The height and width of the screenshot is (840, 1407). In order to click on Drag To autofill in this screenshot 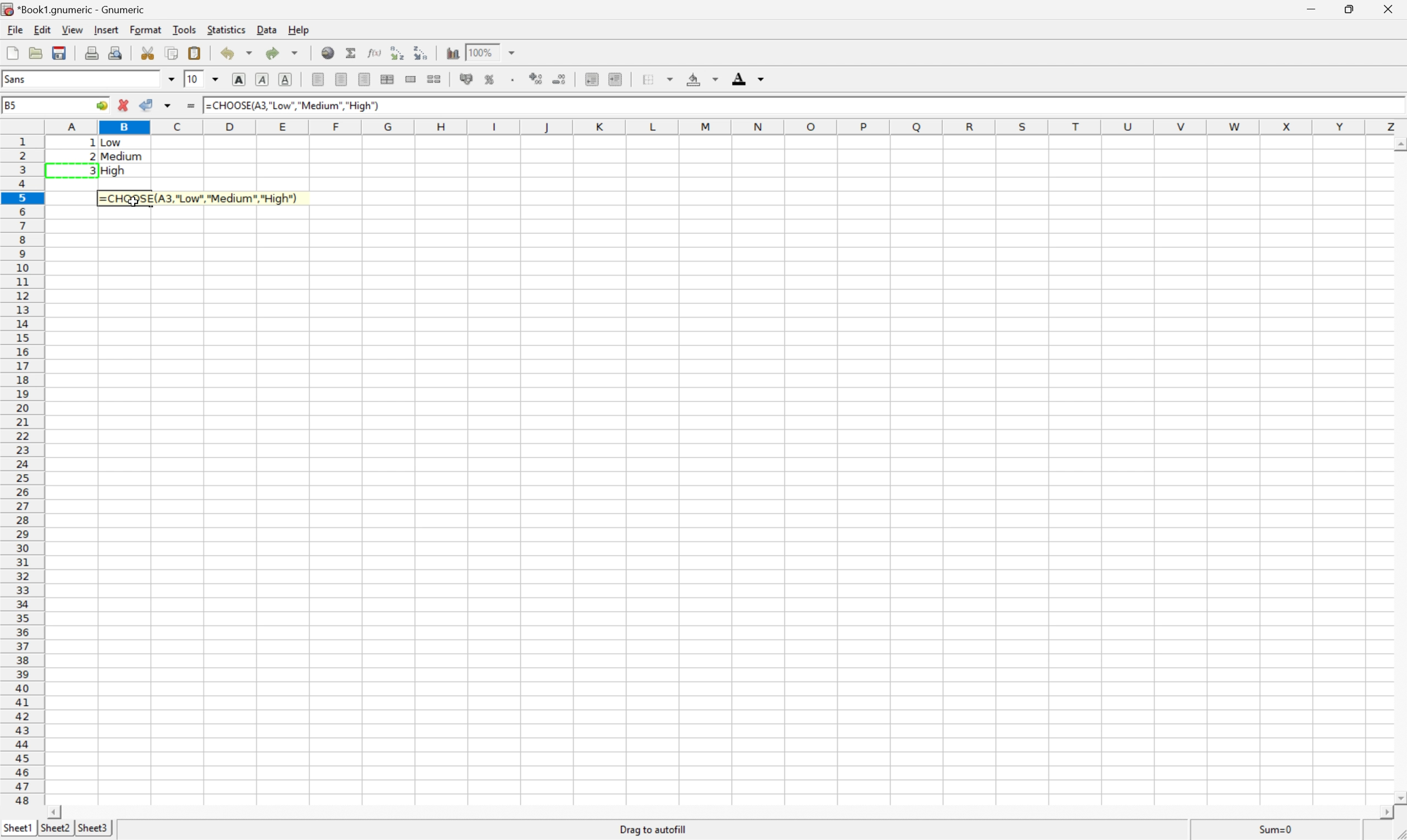, I will do `click(652, 829)`.